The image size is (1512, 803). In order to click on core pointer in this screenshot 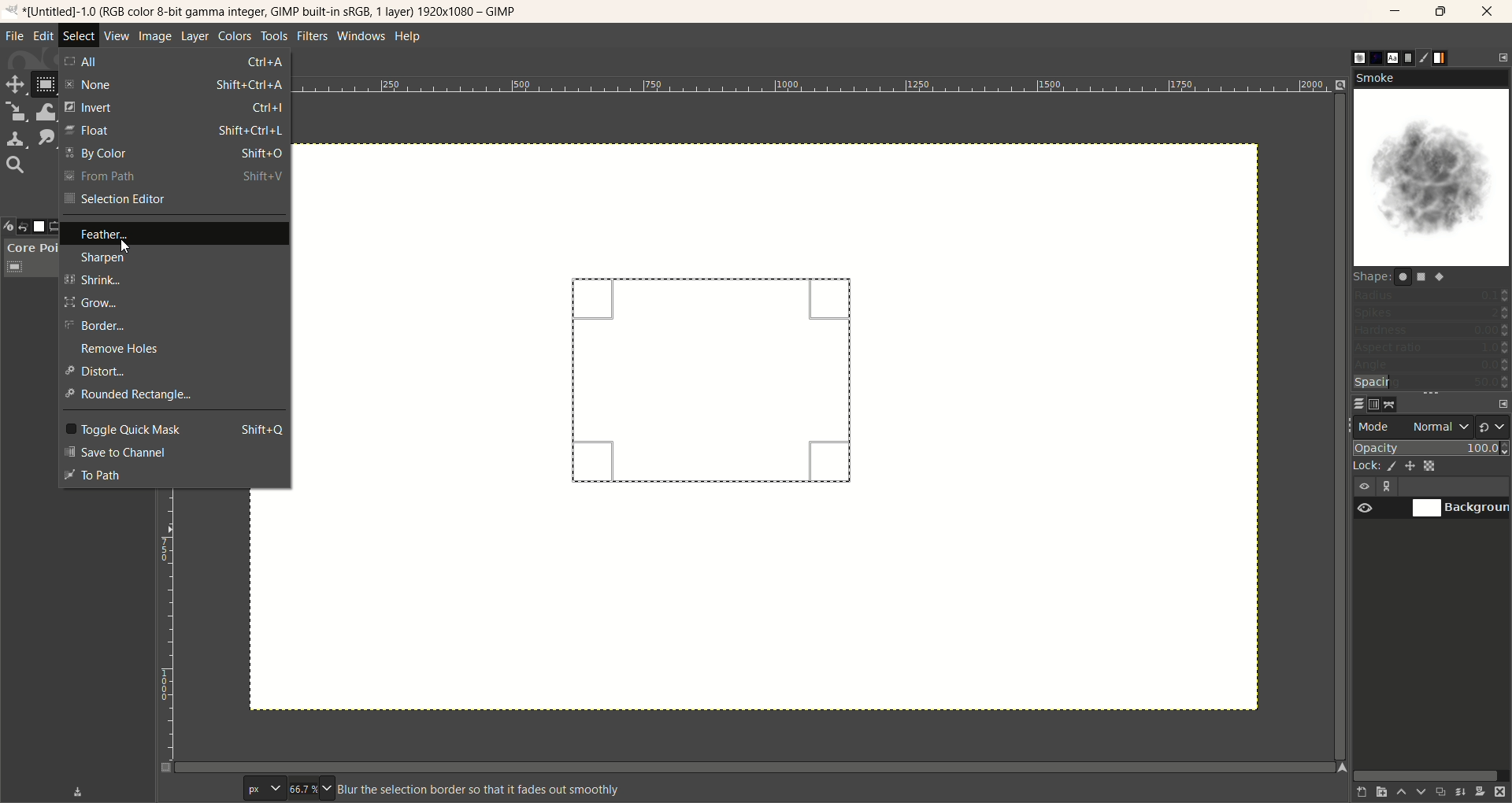, I will do `click(27, 261)`.